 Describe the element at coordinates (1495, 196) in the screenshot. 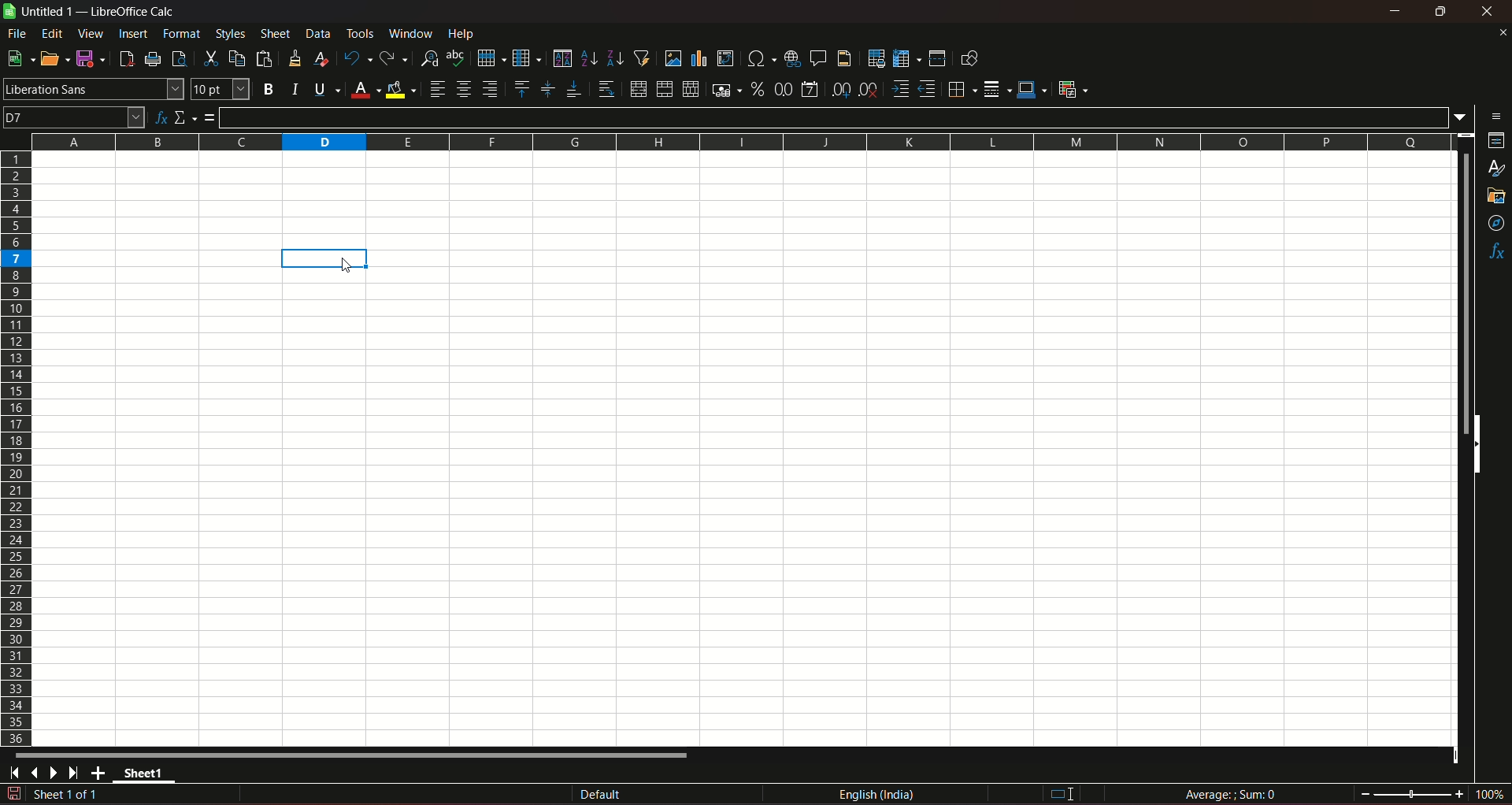

I see `gallery` at that location.